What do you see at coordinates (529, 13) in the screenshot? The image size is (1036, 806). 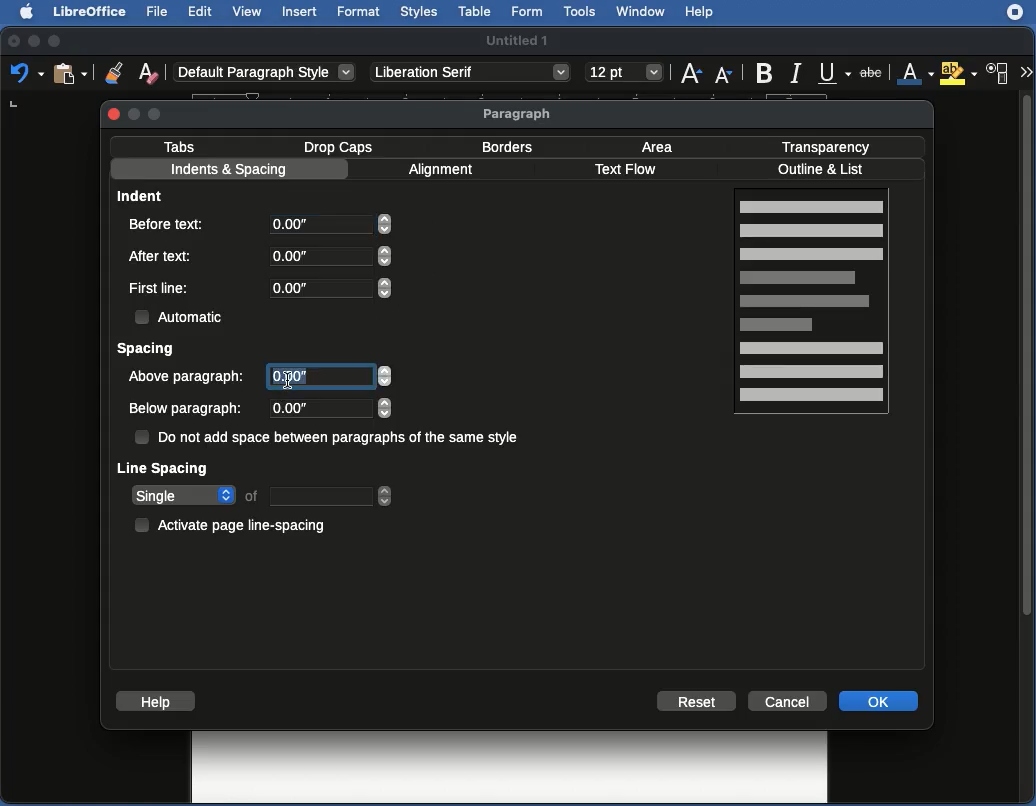 I see `Form` at bounding box center [529, 13].